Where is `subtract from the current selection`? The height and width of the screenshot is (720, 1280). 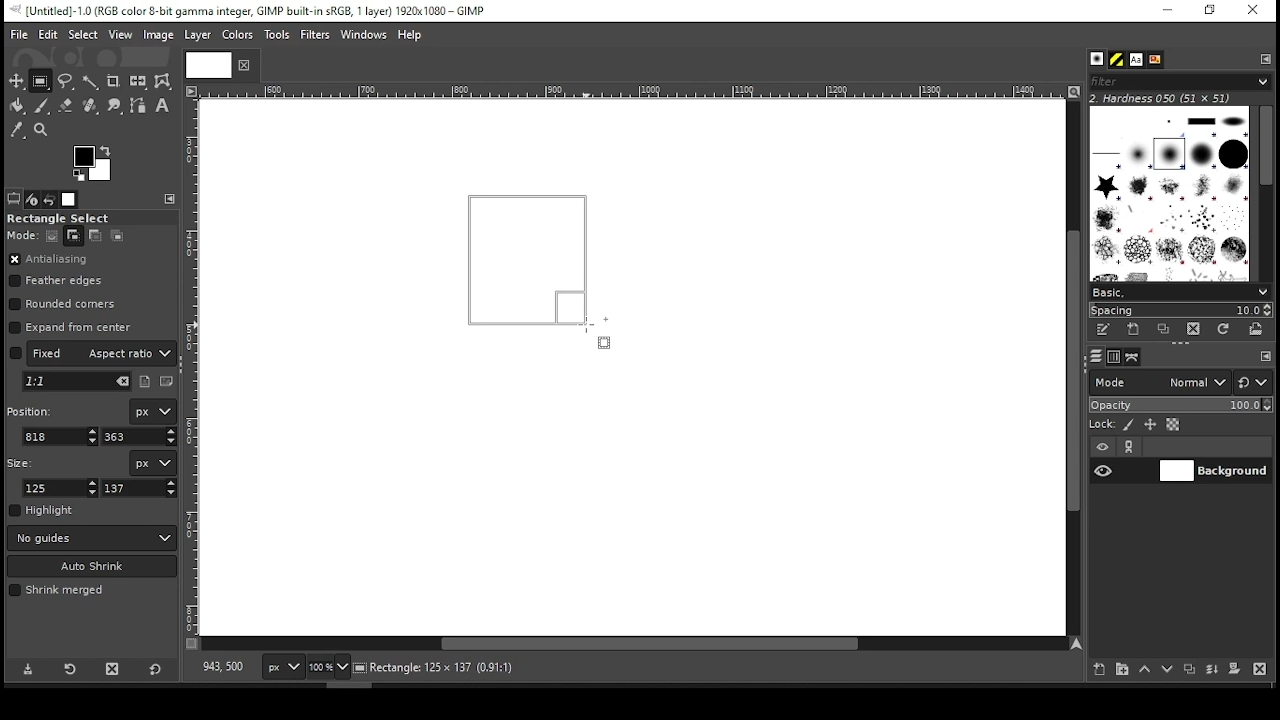 subtract from the current selection is located at coordinates (94, 236).